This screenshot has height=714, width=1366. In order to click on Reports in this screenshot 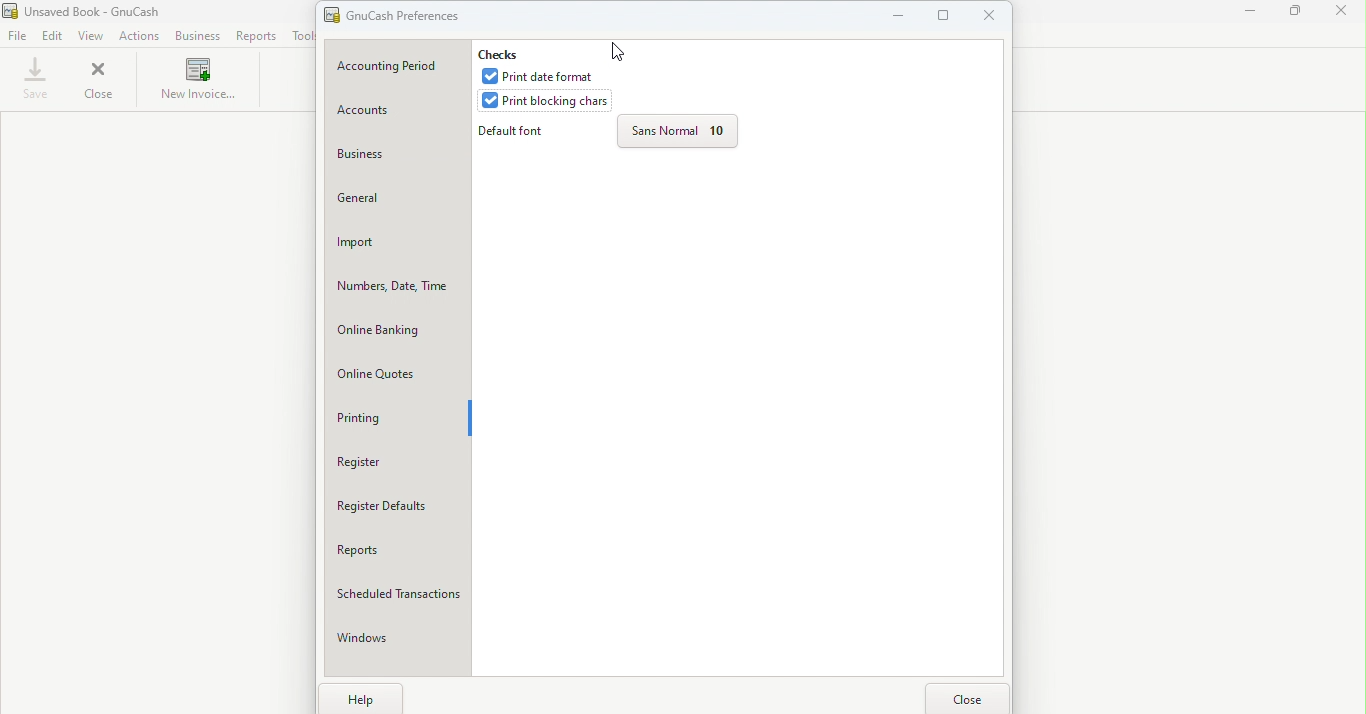, I will do `click(259, 35)`.